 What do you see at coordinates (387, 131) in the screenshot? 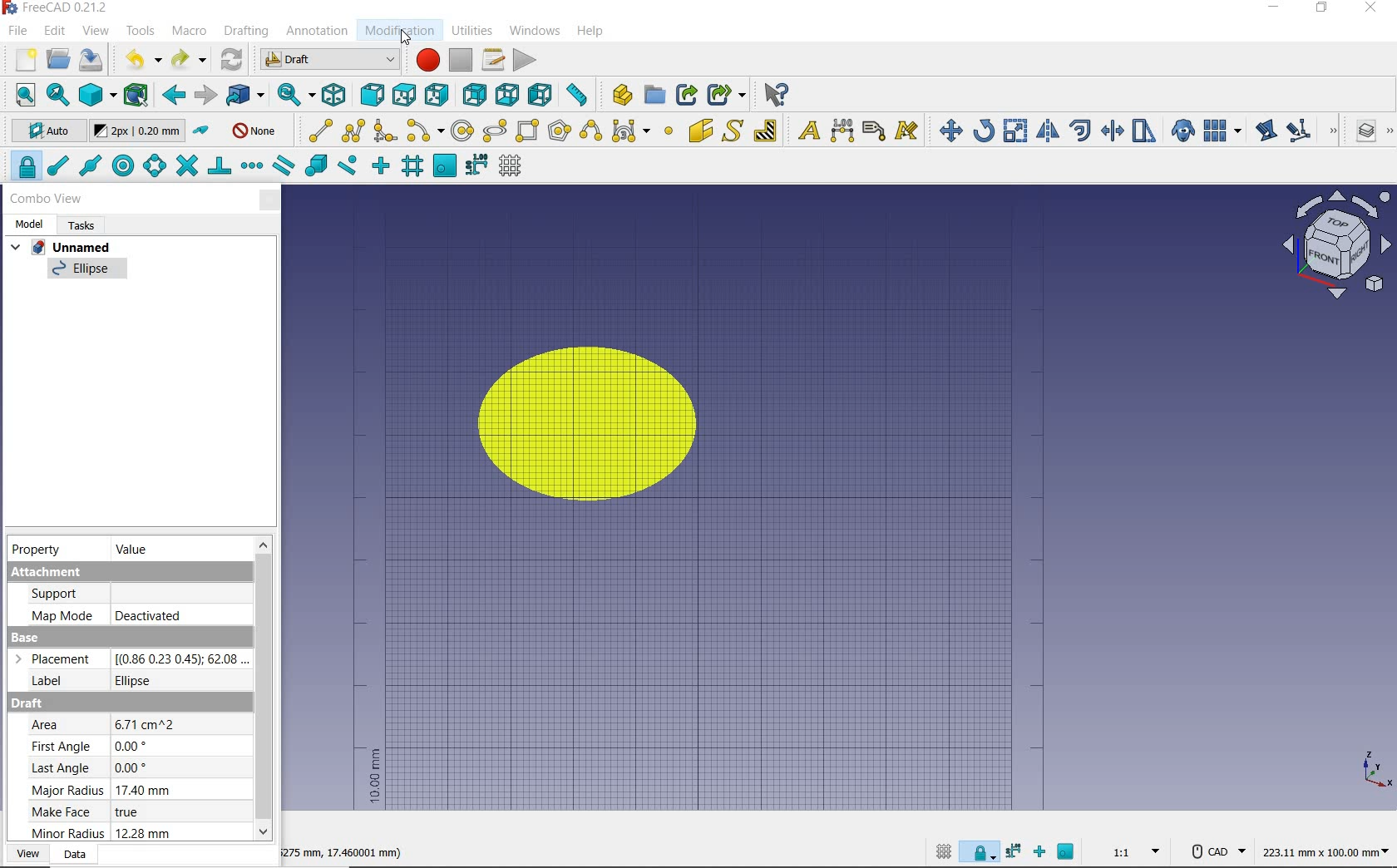
I see `fillet` at bounding box center [387, 131].